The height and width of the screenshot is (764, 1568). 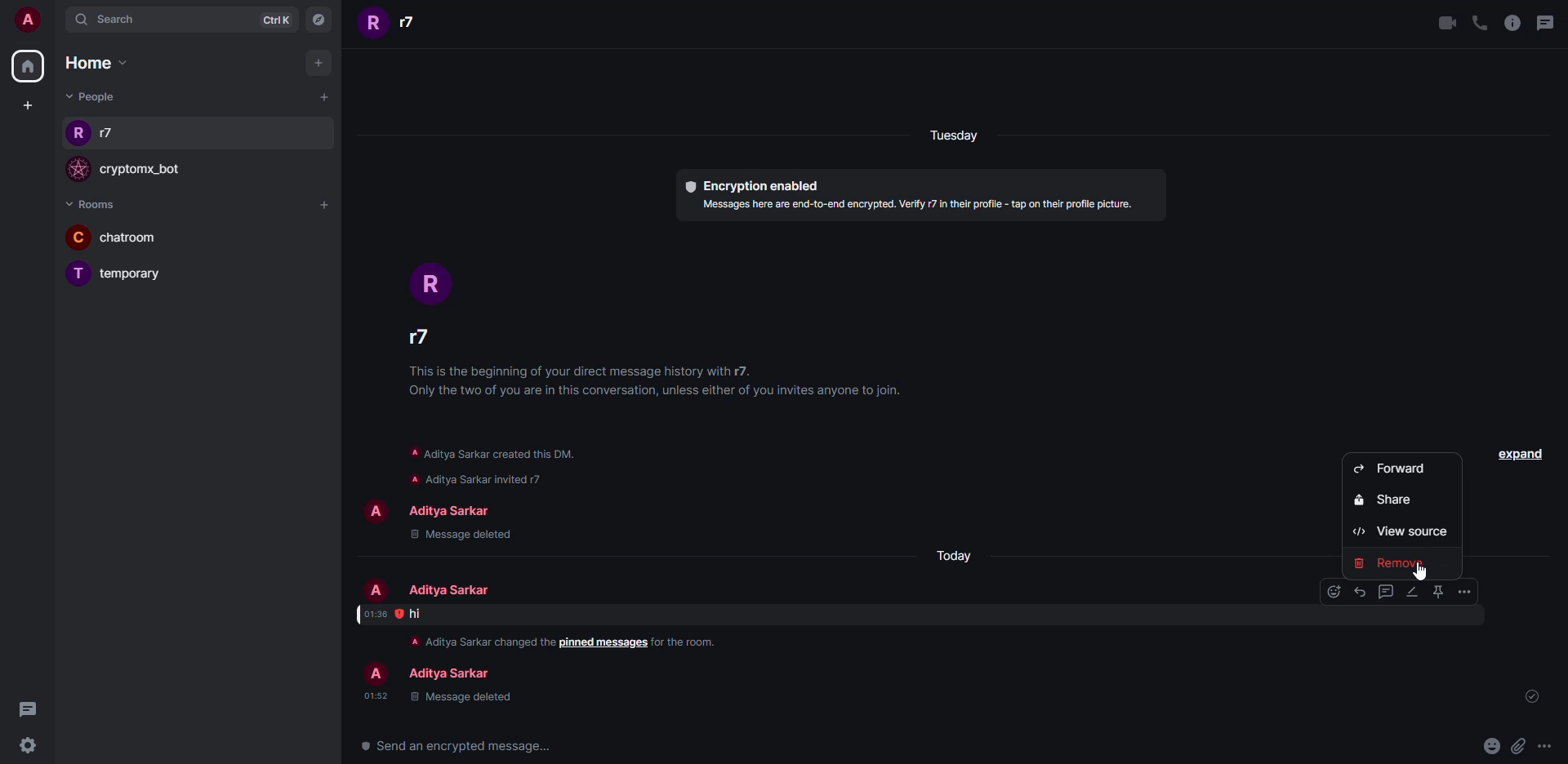 I want to click on attach, so click(x=1517, y=747).